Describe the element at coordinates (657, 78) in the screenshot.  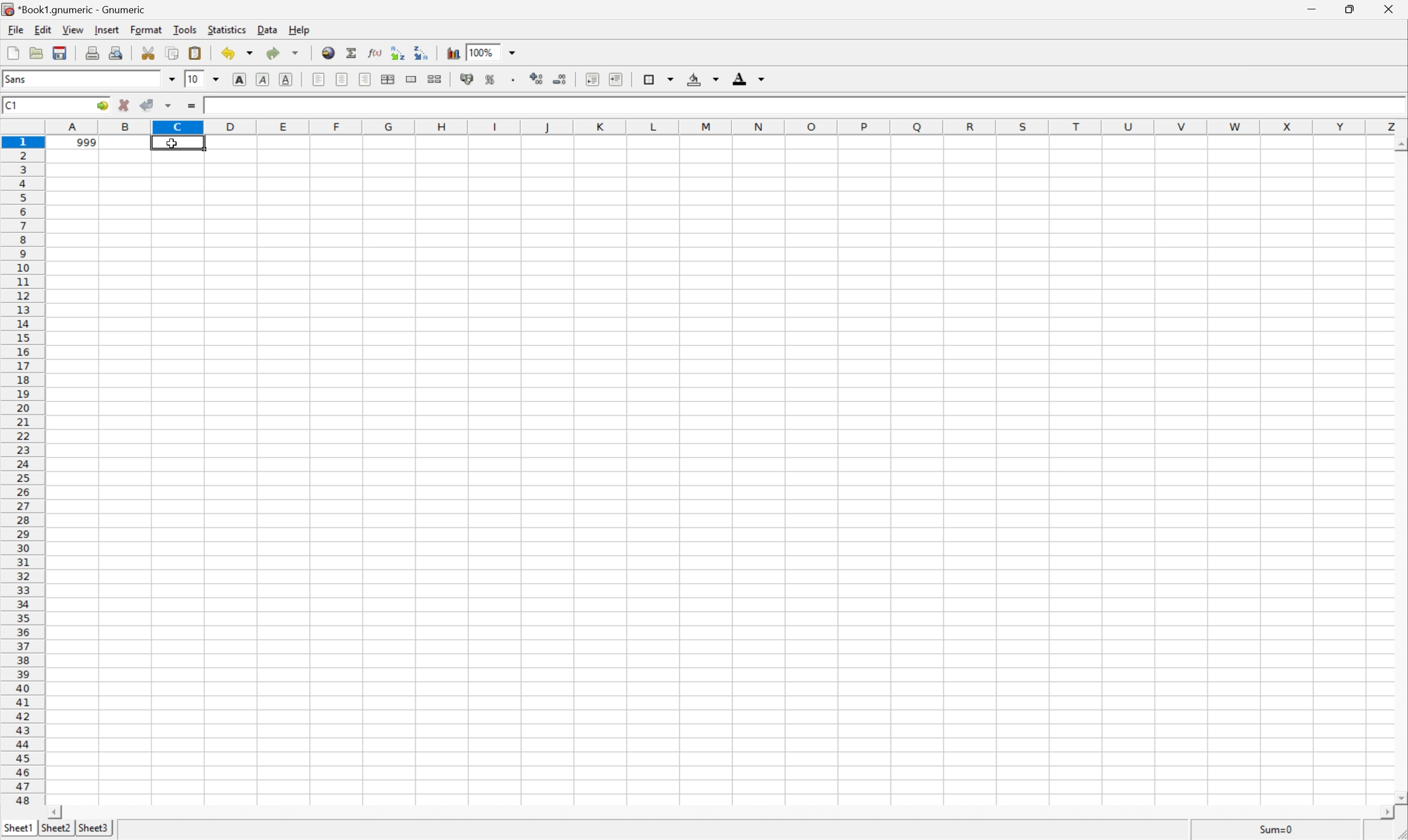
I see `borders` at that location.